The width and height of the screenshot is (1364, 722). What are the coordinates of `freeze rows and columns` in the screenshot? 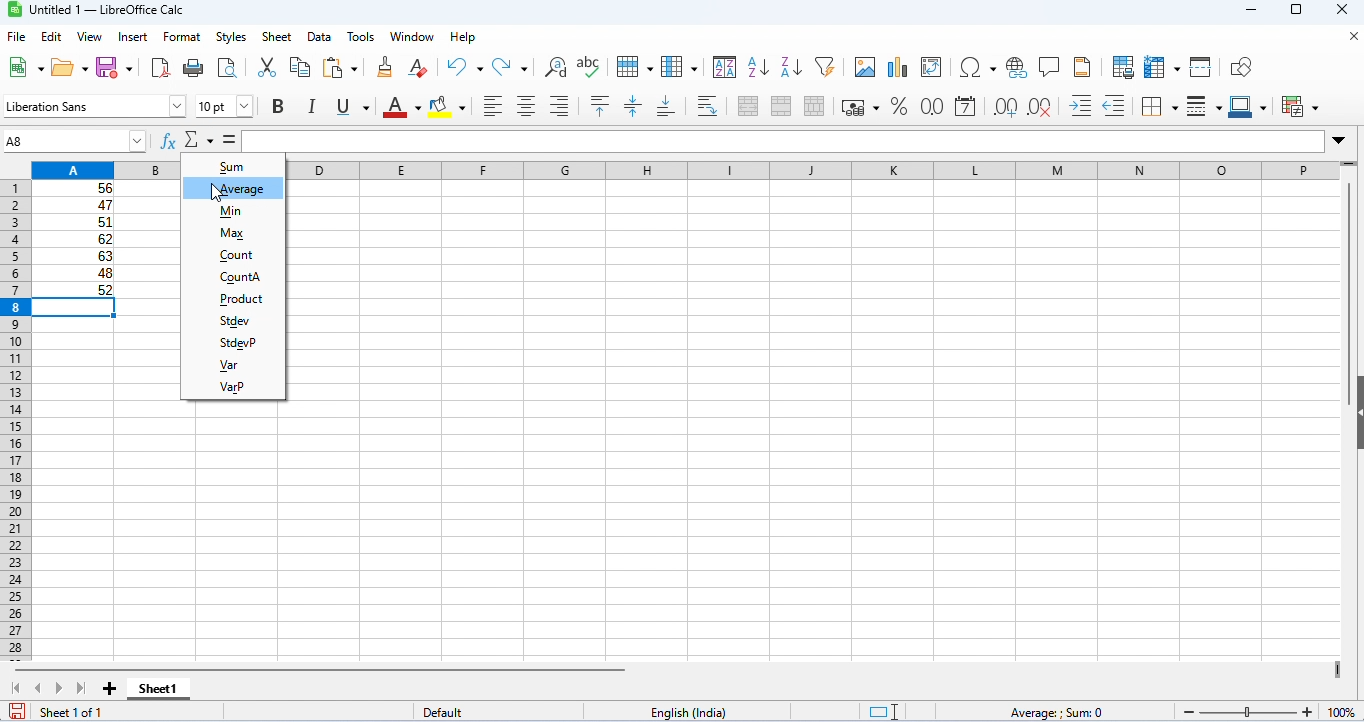 It's located at (1164, 67).